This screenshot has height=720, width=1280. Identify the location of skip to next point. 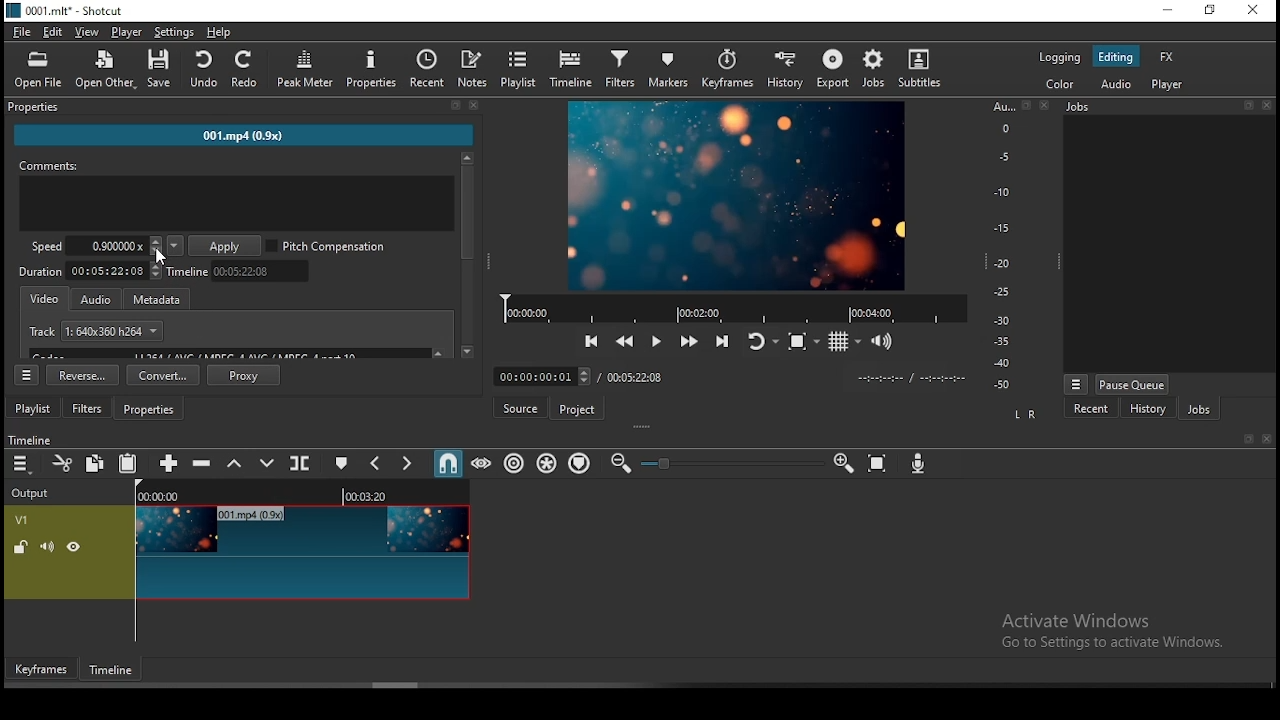
(725, 339).